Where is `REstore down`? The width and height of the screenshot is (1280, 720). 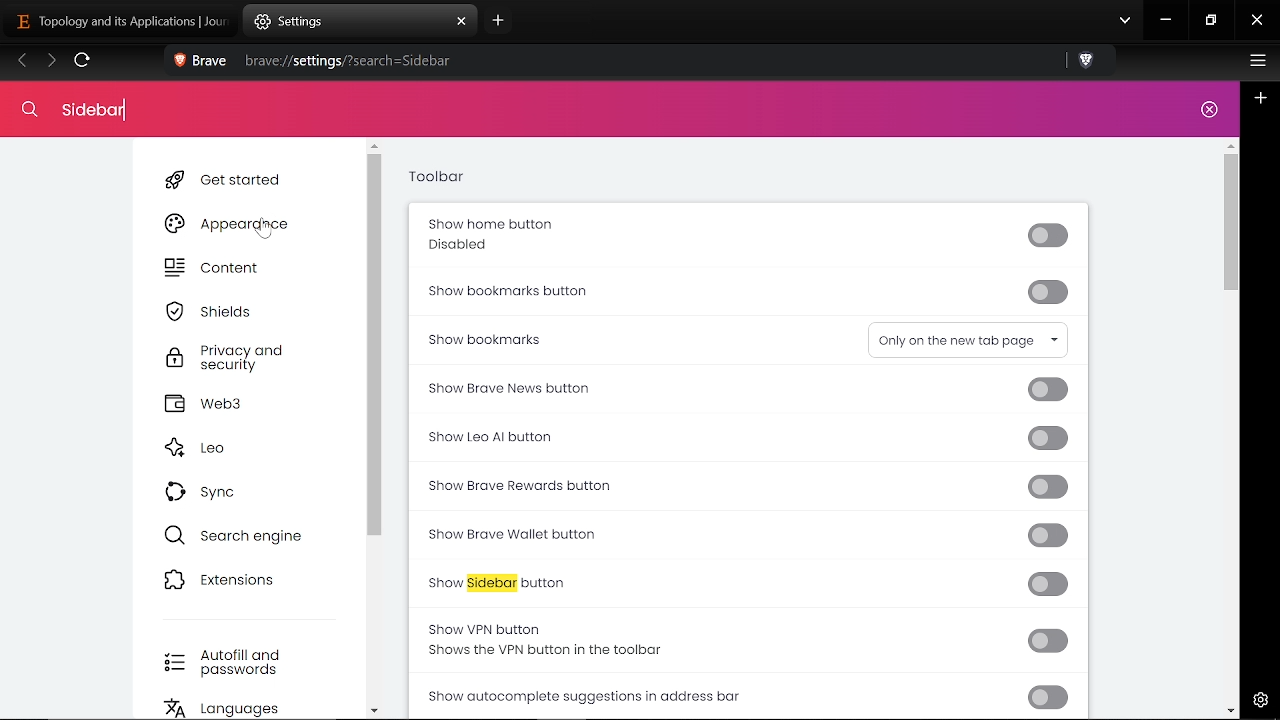
REstore down is located at coordinates (1213, 21).